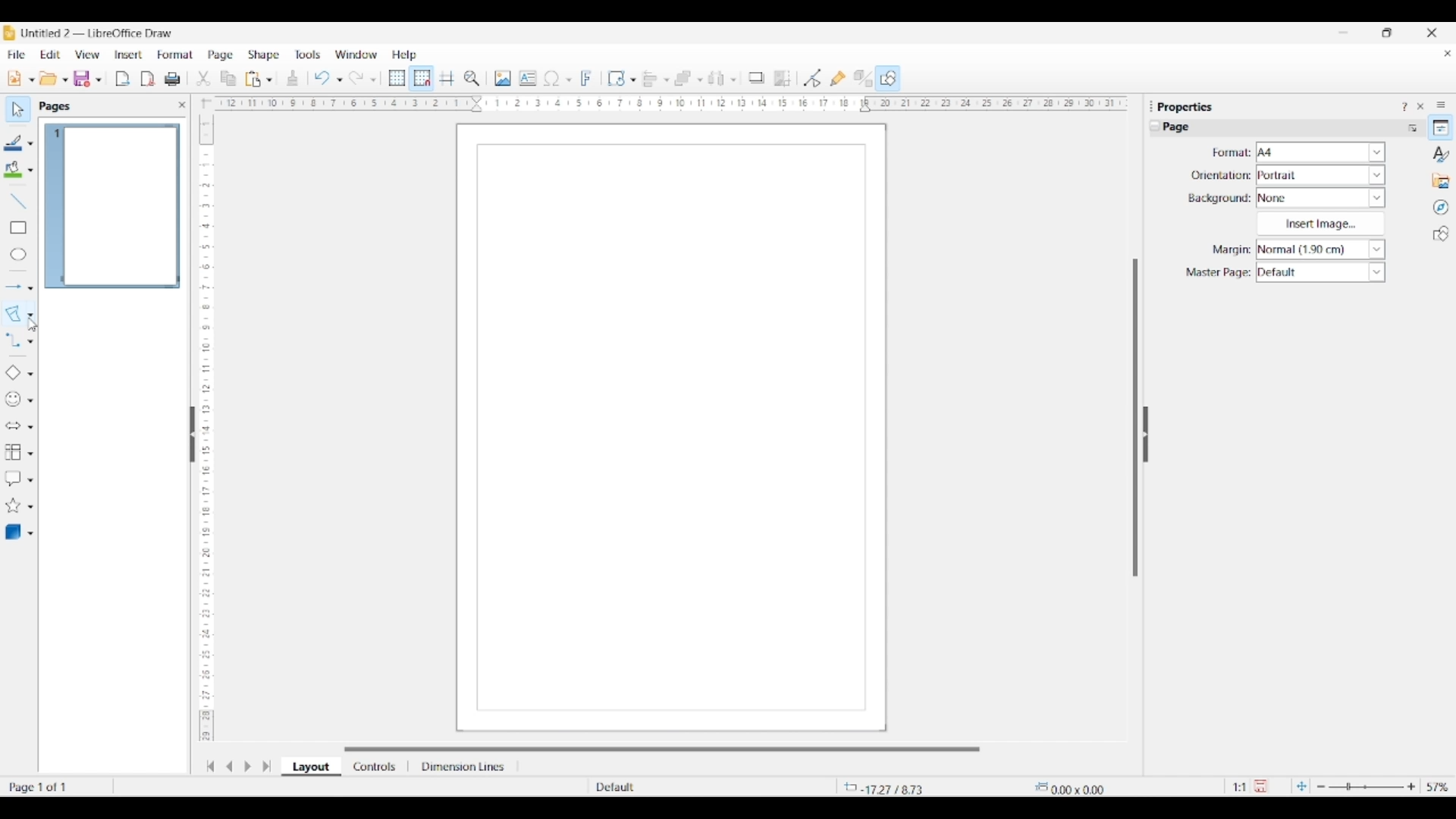  Describe the element at coordinates (14, 314) in the screenshot. I see `Selected polygon` at that location.